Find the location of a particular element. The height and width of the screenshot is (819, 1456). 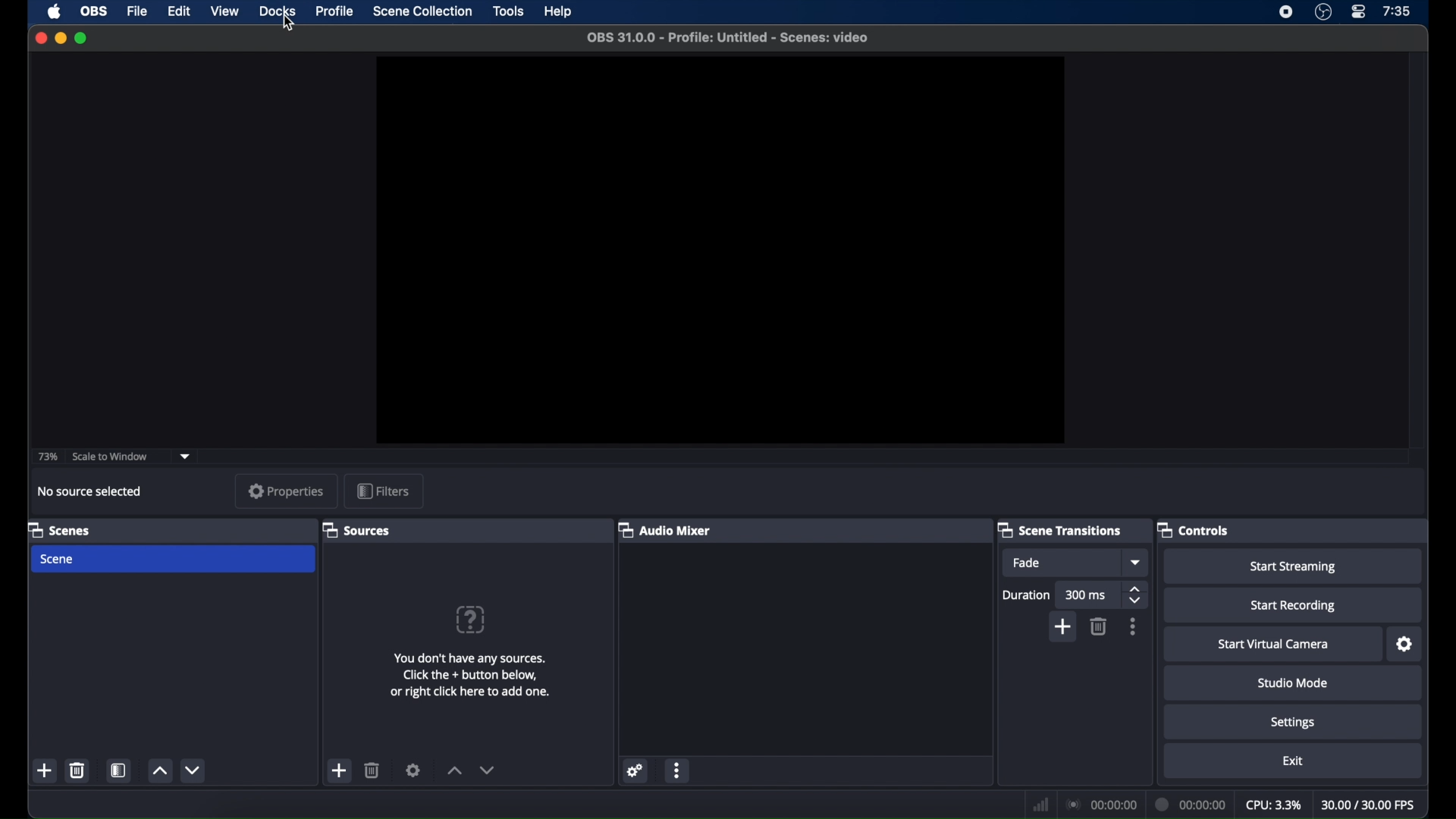

cursor is located at coordinates (291, 23).